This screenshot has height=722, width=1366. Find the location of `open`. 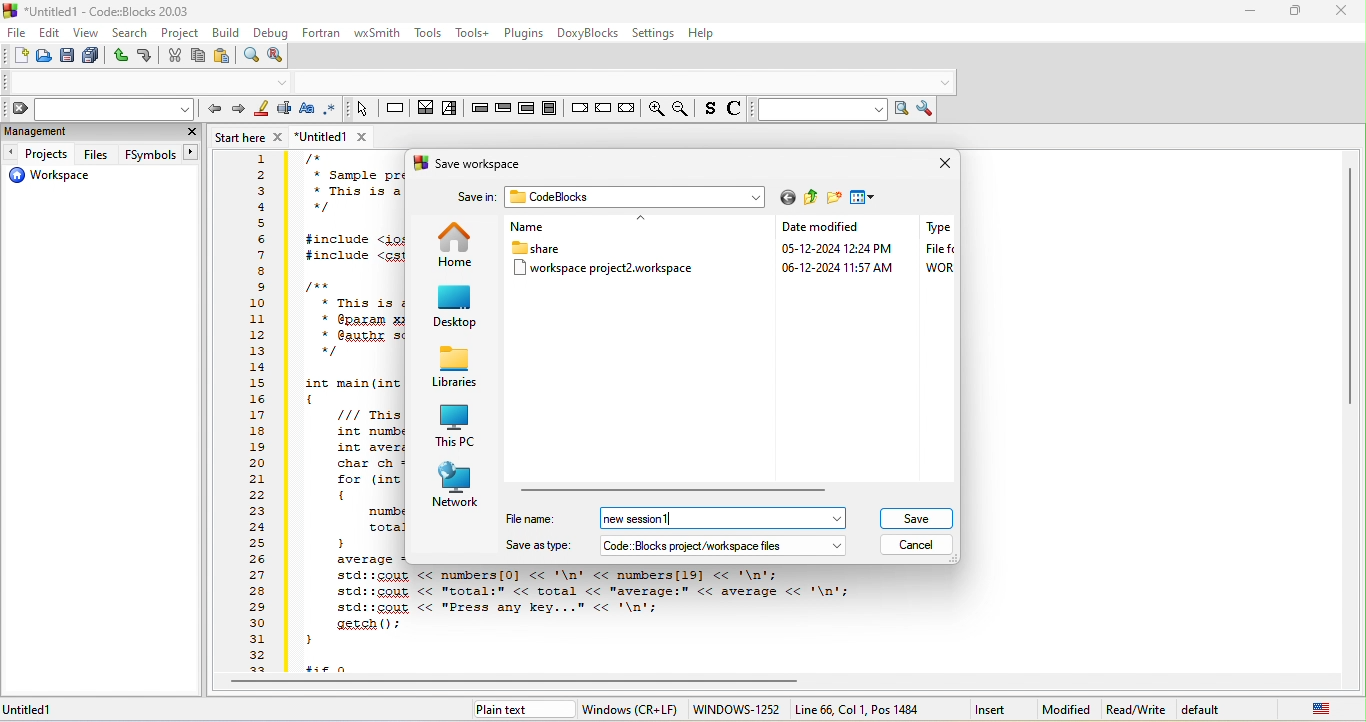

open is located at coordinates (43, 57).